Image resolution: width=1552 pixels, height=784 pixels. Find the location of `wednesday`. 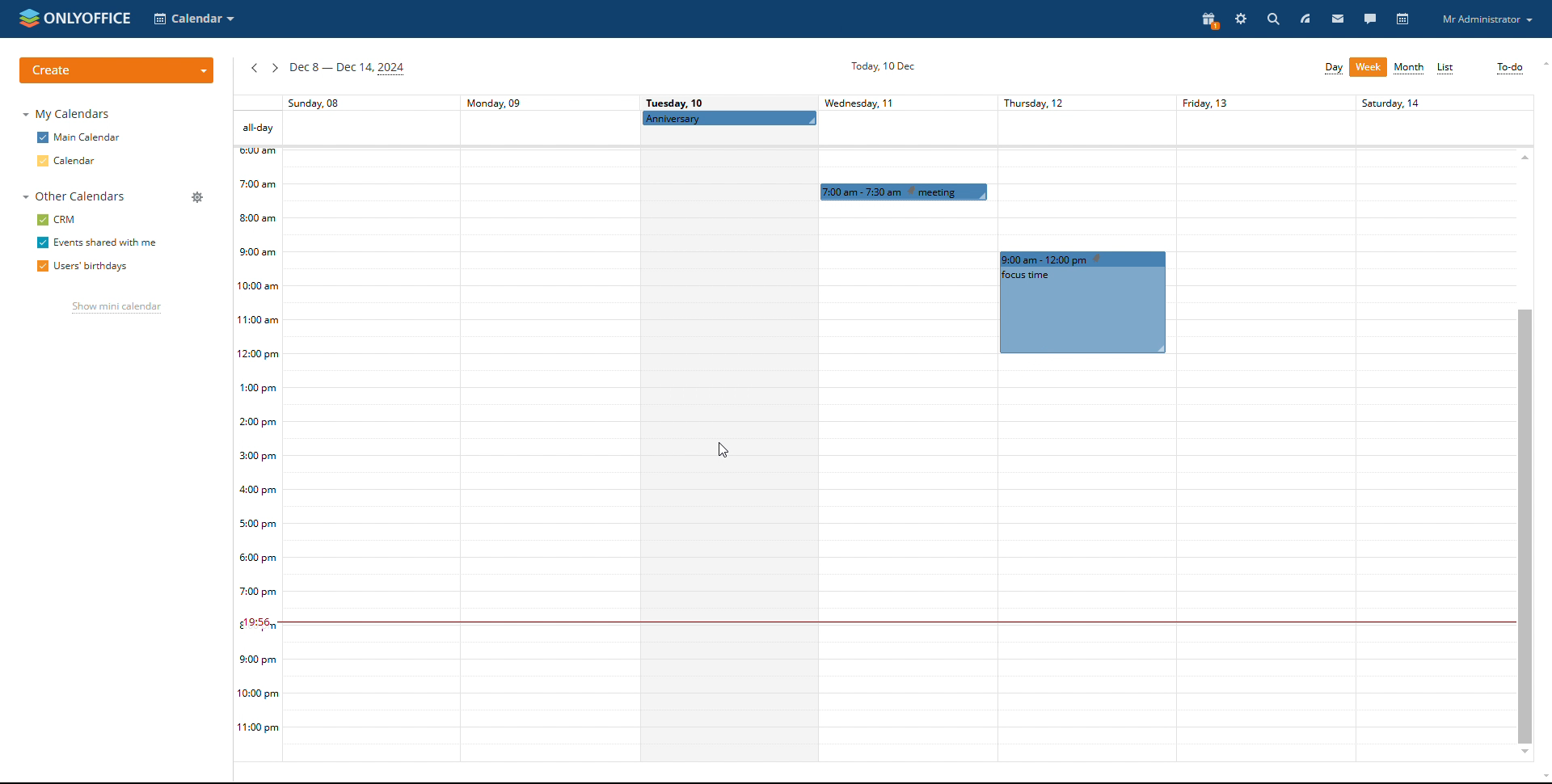

wednesday is located at coordinates (904, 484).